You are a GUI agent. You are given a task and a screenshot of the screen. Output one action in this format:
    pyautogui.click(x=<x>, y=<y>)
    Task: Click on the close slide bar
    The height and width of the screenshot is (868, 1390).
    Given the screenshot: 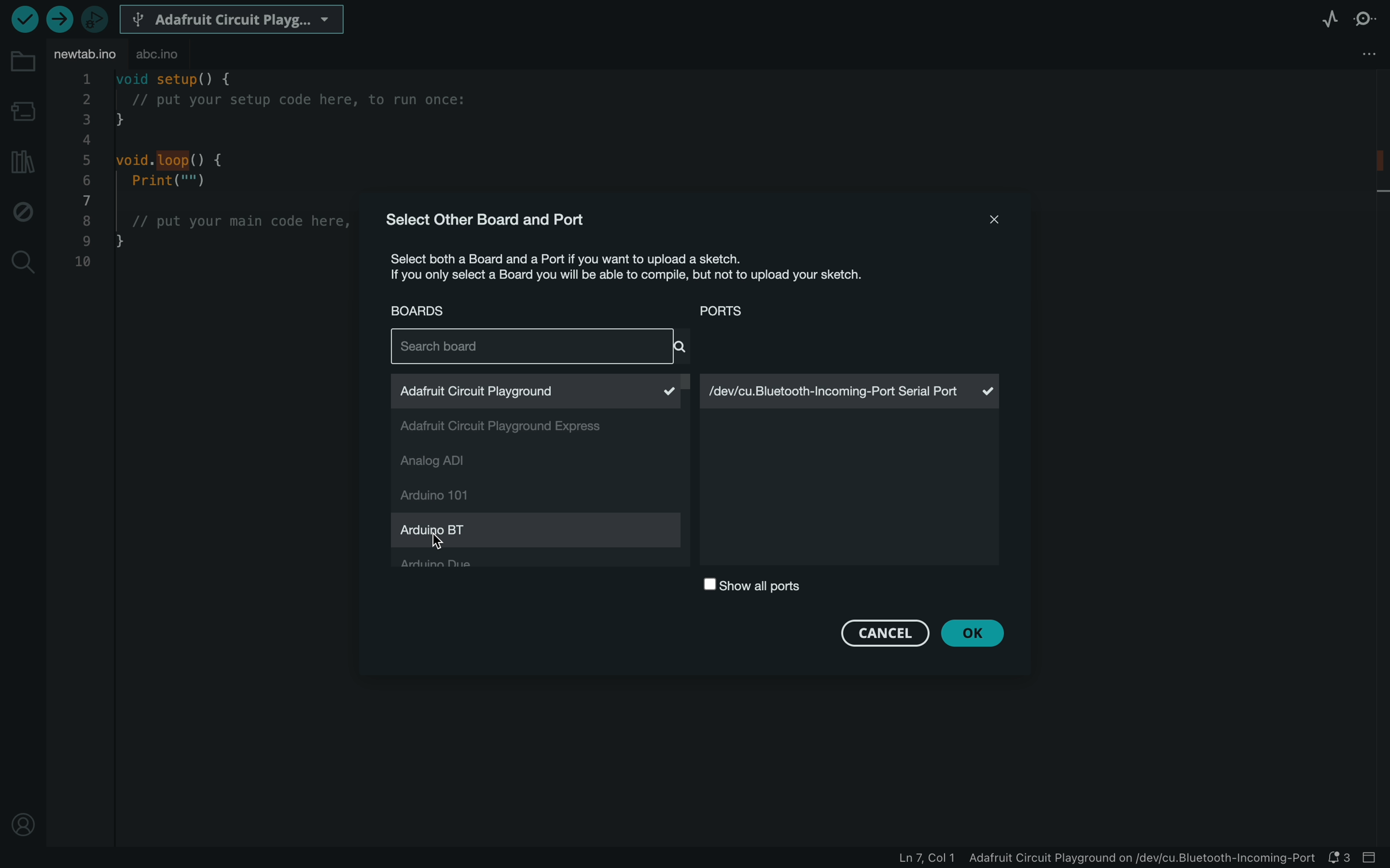 What is the action you would take?
    pyautogui.click(x=1375, y=858)
    